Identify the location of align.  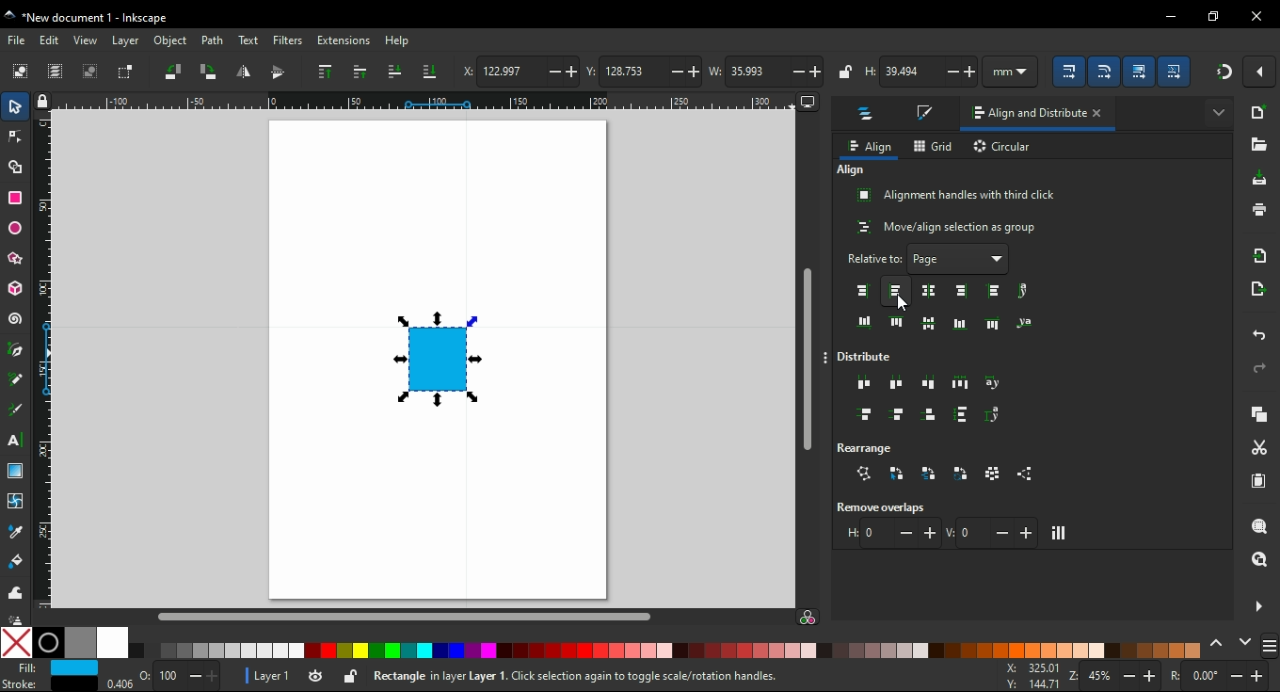
(871, 146).